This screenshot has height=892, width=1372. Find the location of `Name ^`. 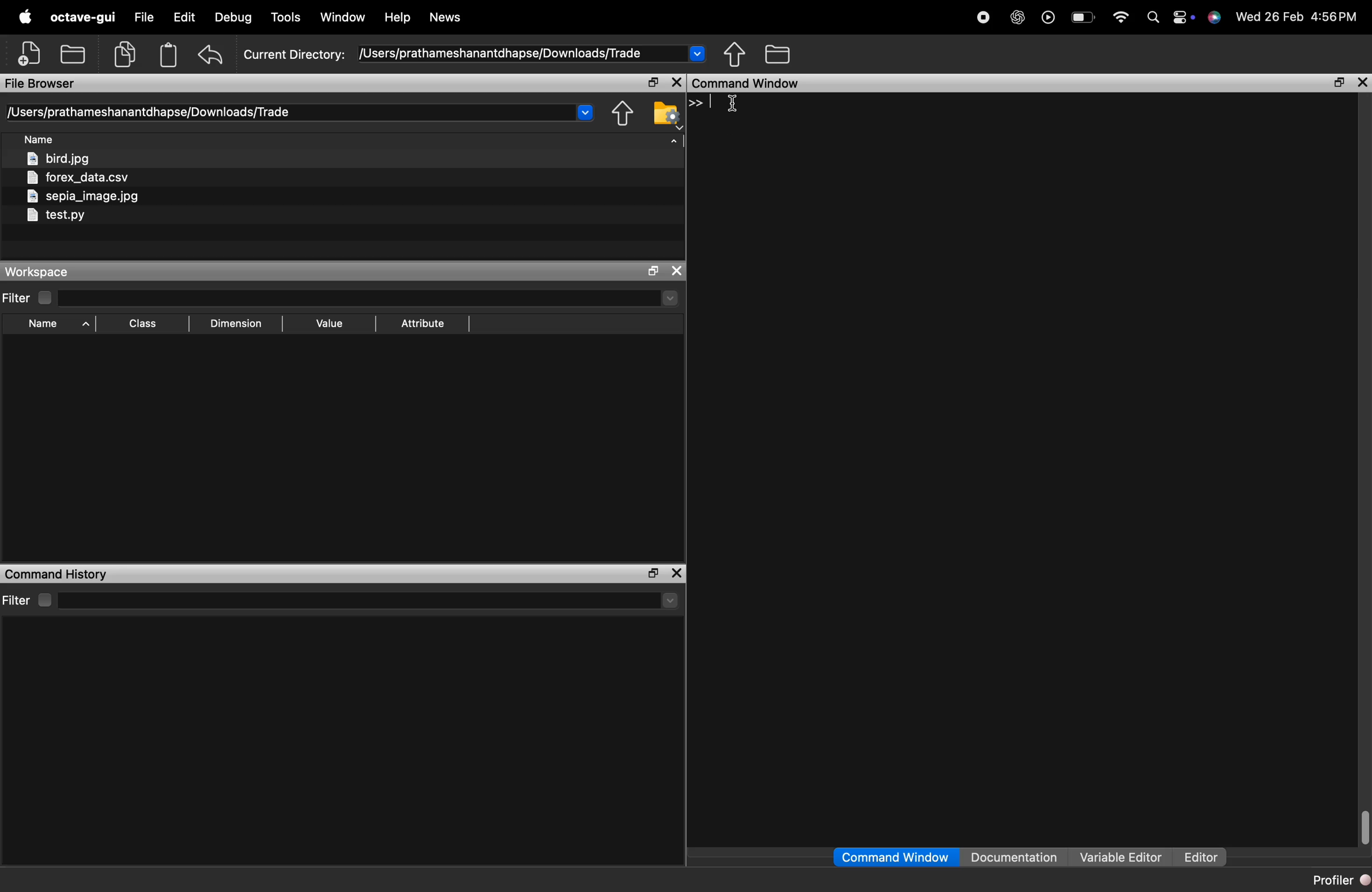

Name ^ is located at coordinates (59, 323).